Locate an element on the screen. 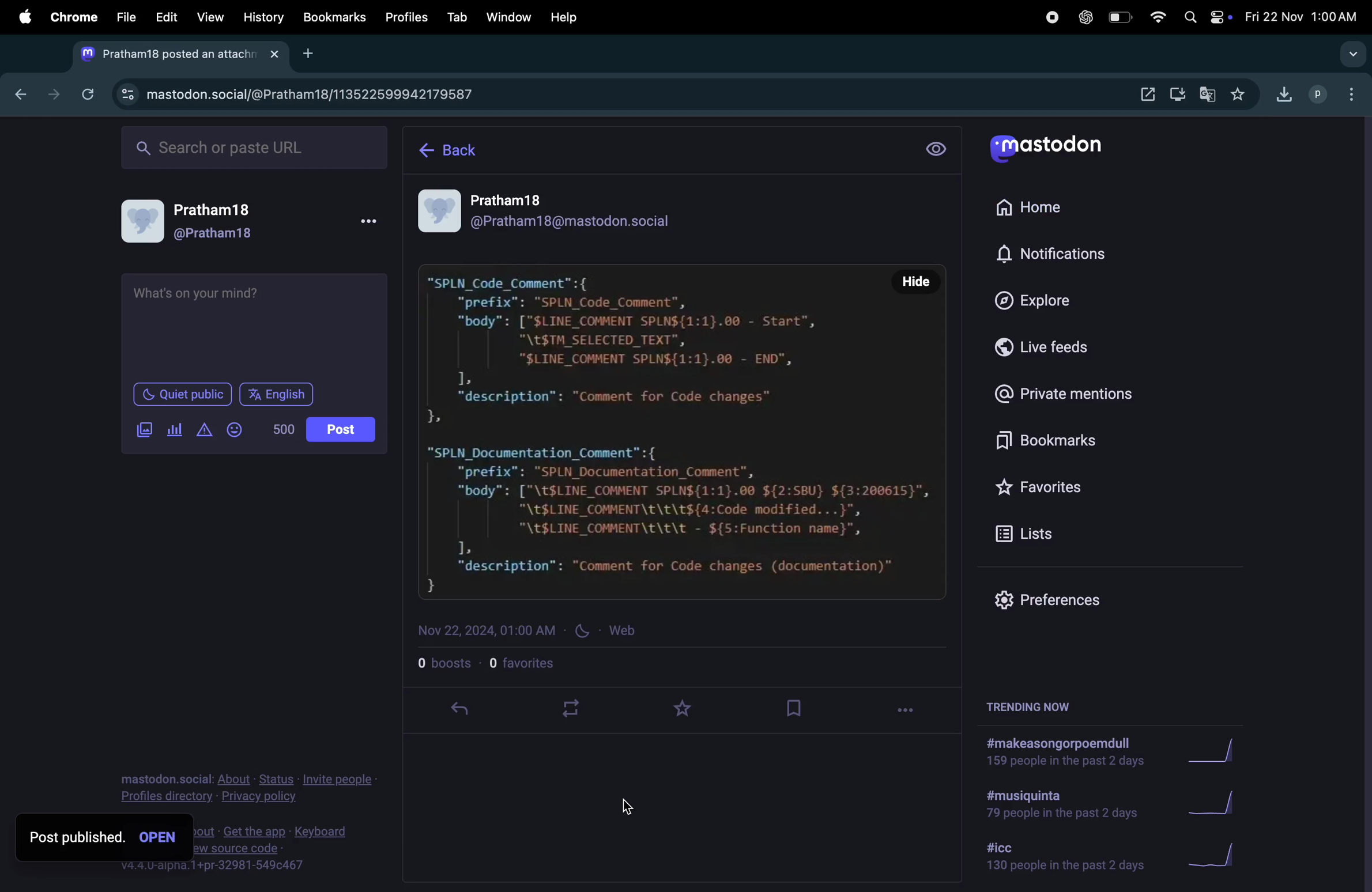 The width and height of the screenshot is (1372, 892). @pratham18 is located at coordinates (217, 237).